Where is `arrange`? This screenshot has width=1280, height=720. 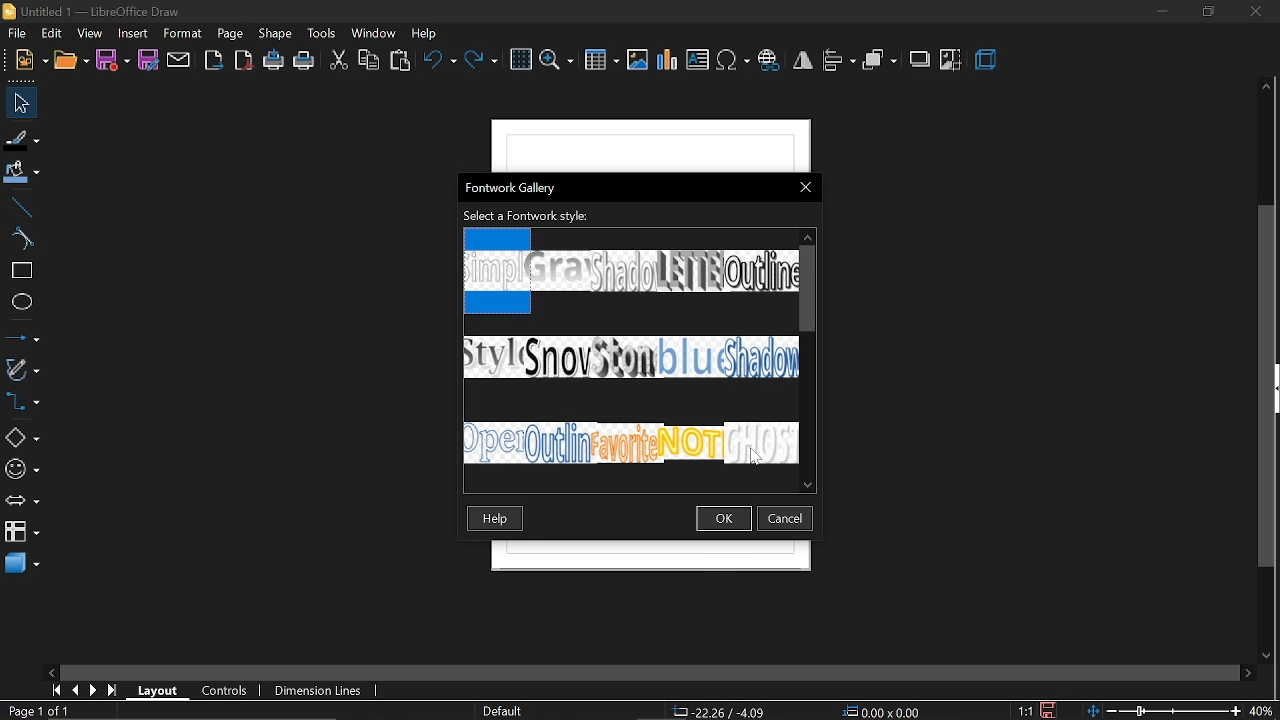 arrange is located at coordinates (880, 61).